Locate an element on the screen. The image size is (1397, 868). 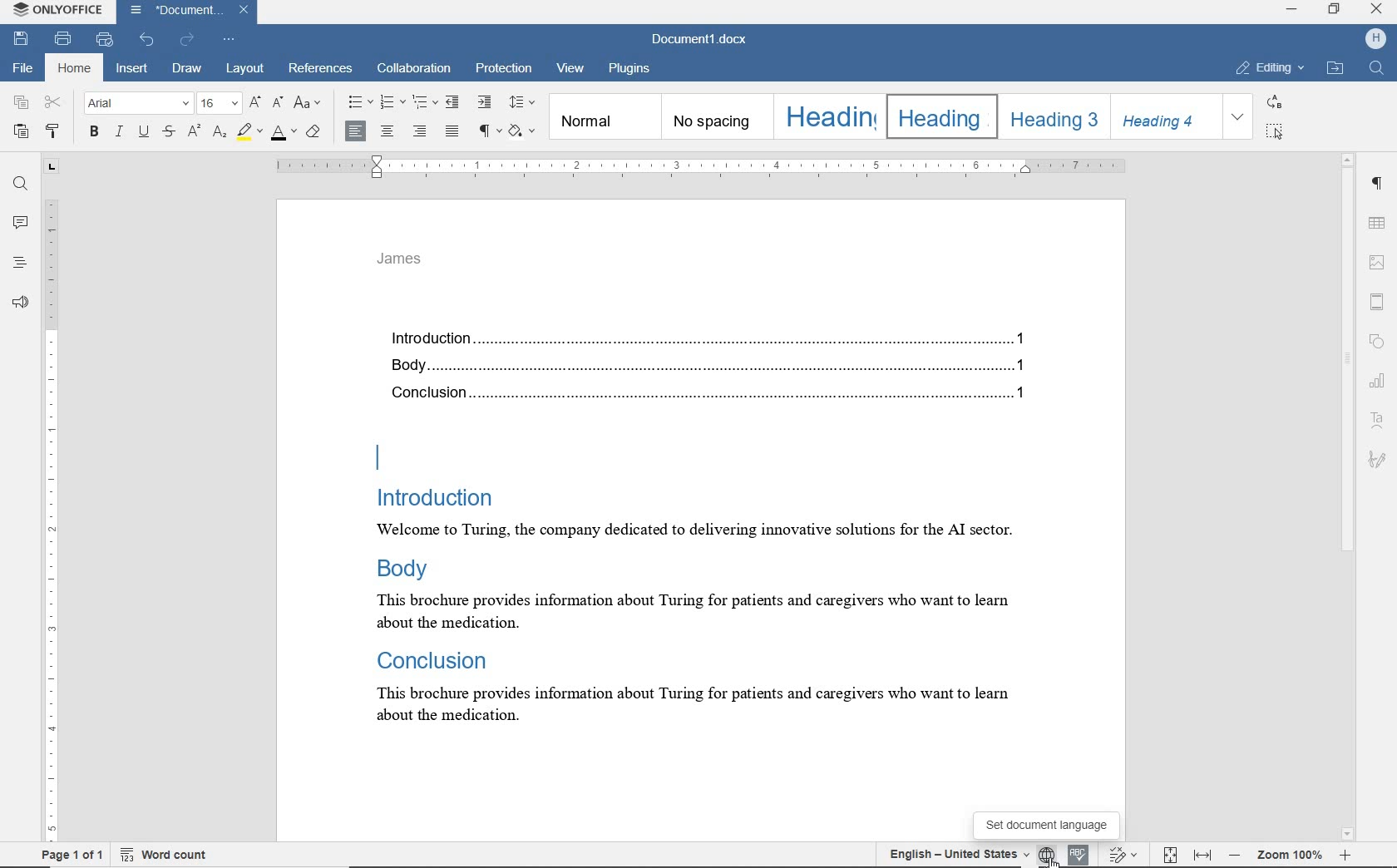
bold is located at coordinates (93, 133).